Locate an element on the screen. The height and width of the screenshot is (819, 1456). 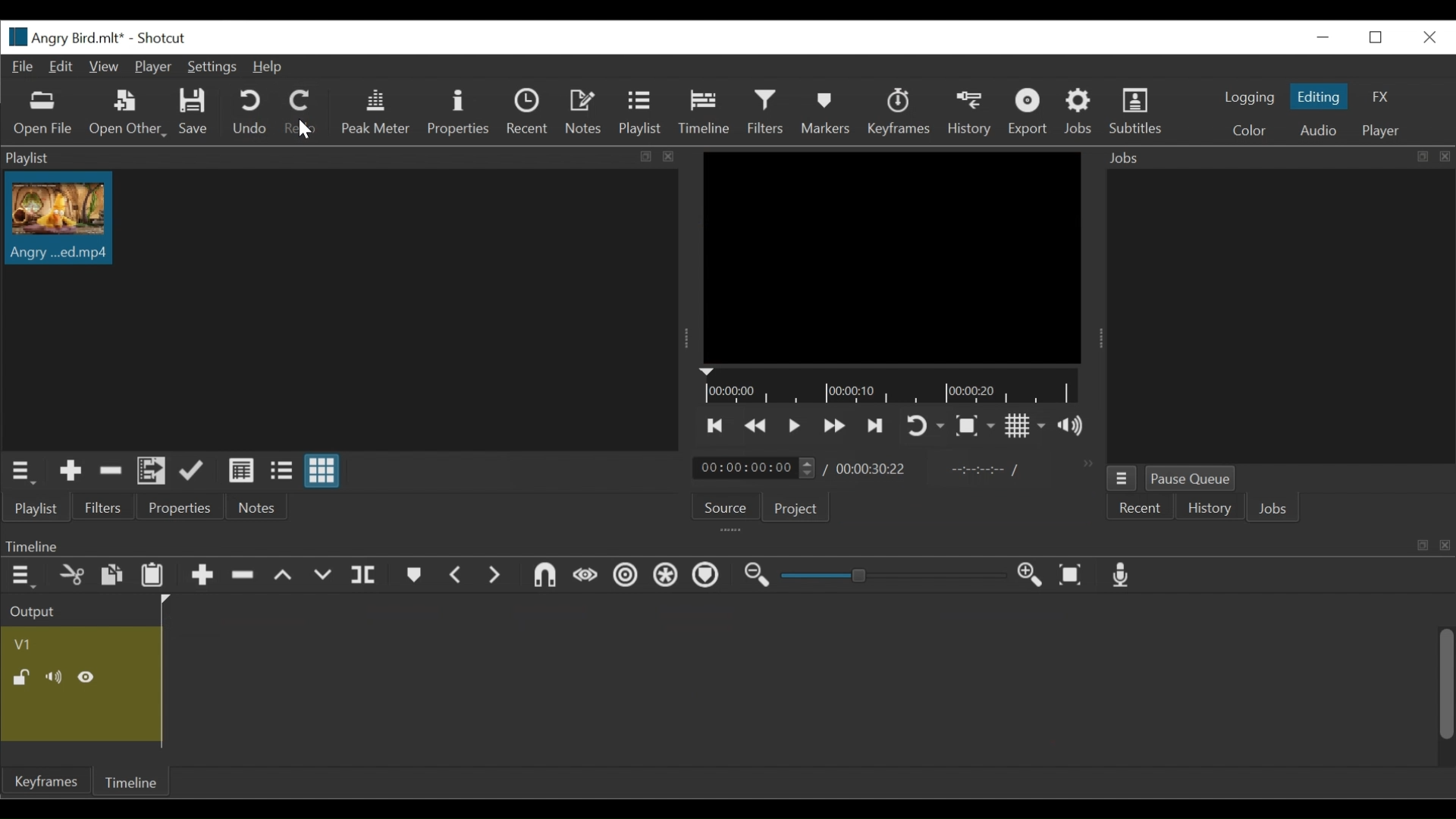
Markers is located at coordinates (412, 576).